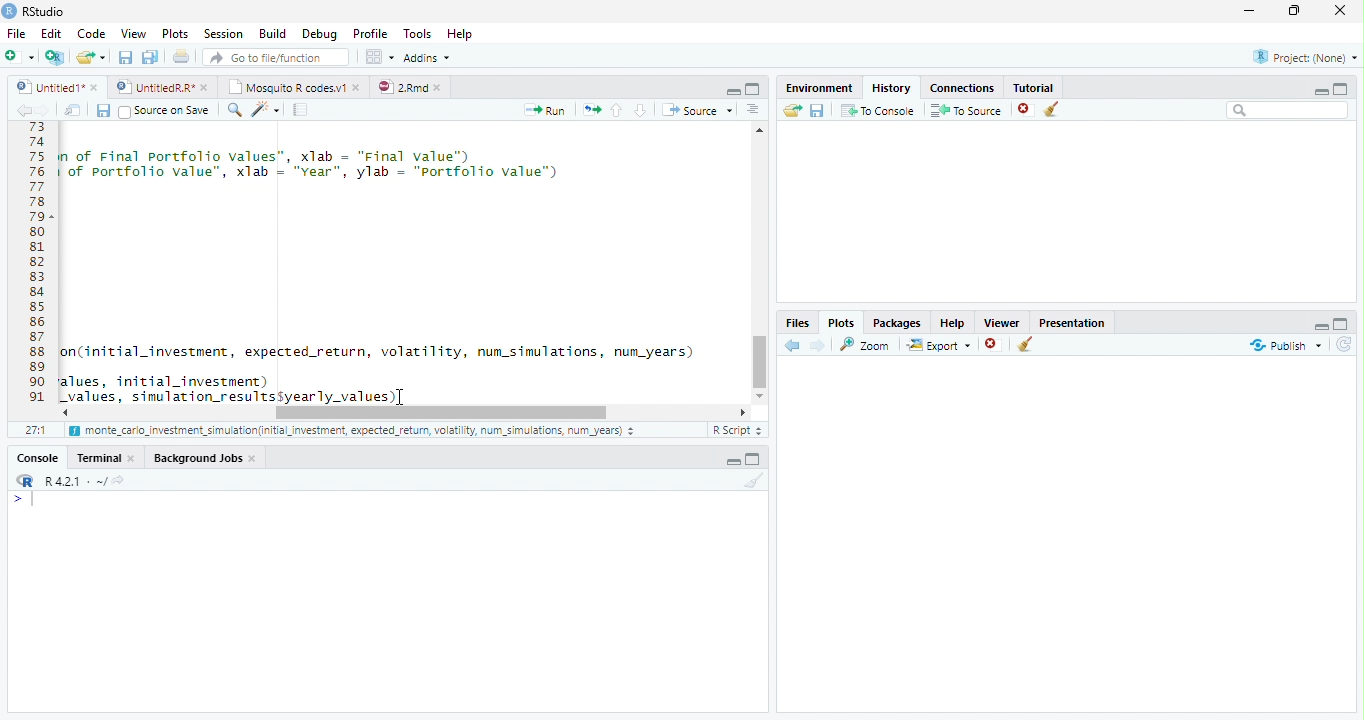 The width and height of the screenshot is (1364, 720). Describe the element at coordinates (222, 33) in the screenshot. I see `Session` at that location.